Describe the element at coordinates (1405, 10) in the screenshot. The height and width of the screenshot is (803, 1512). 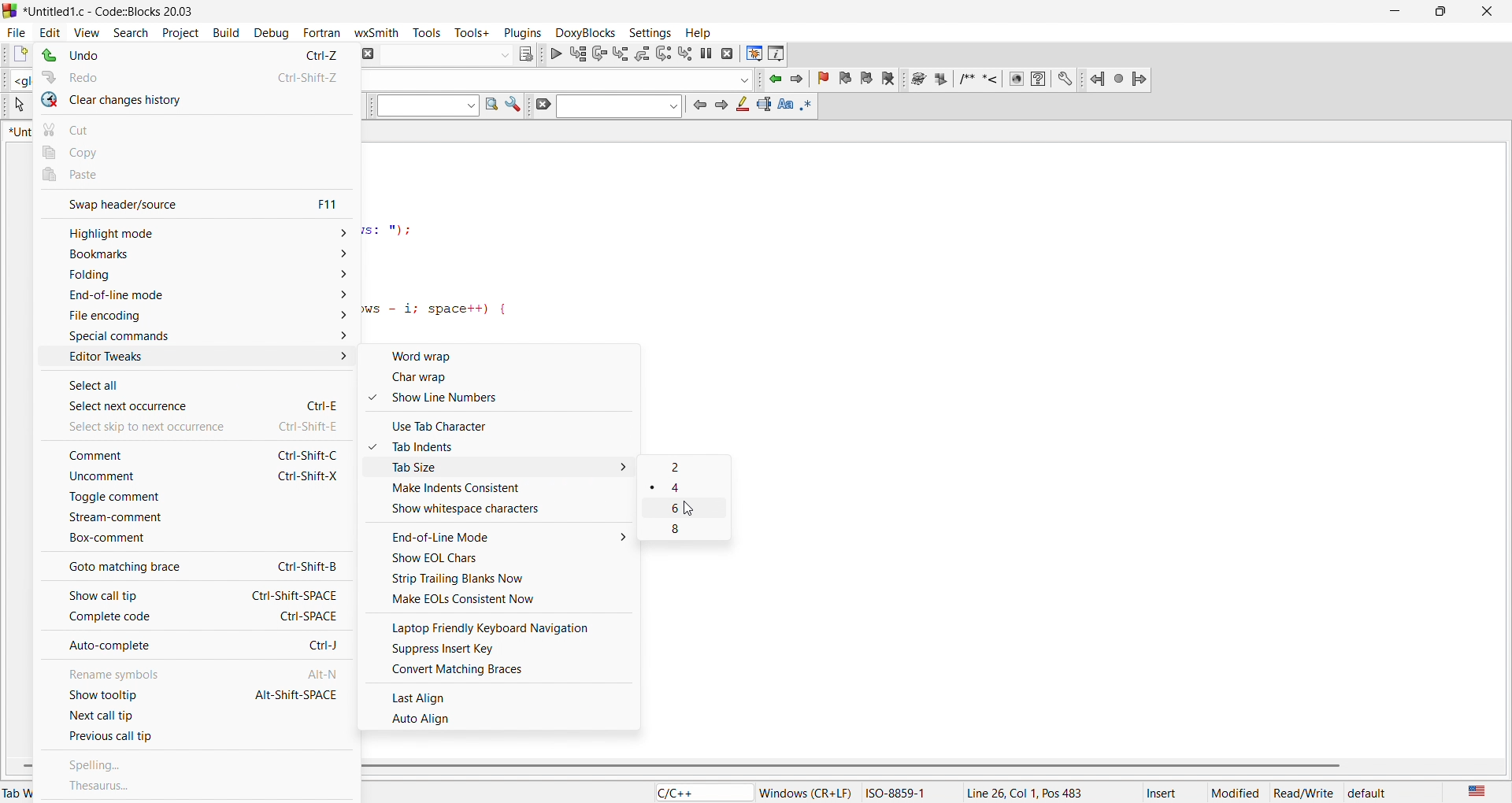
I see `minimize` at that location.